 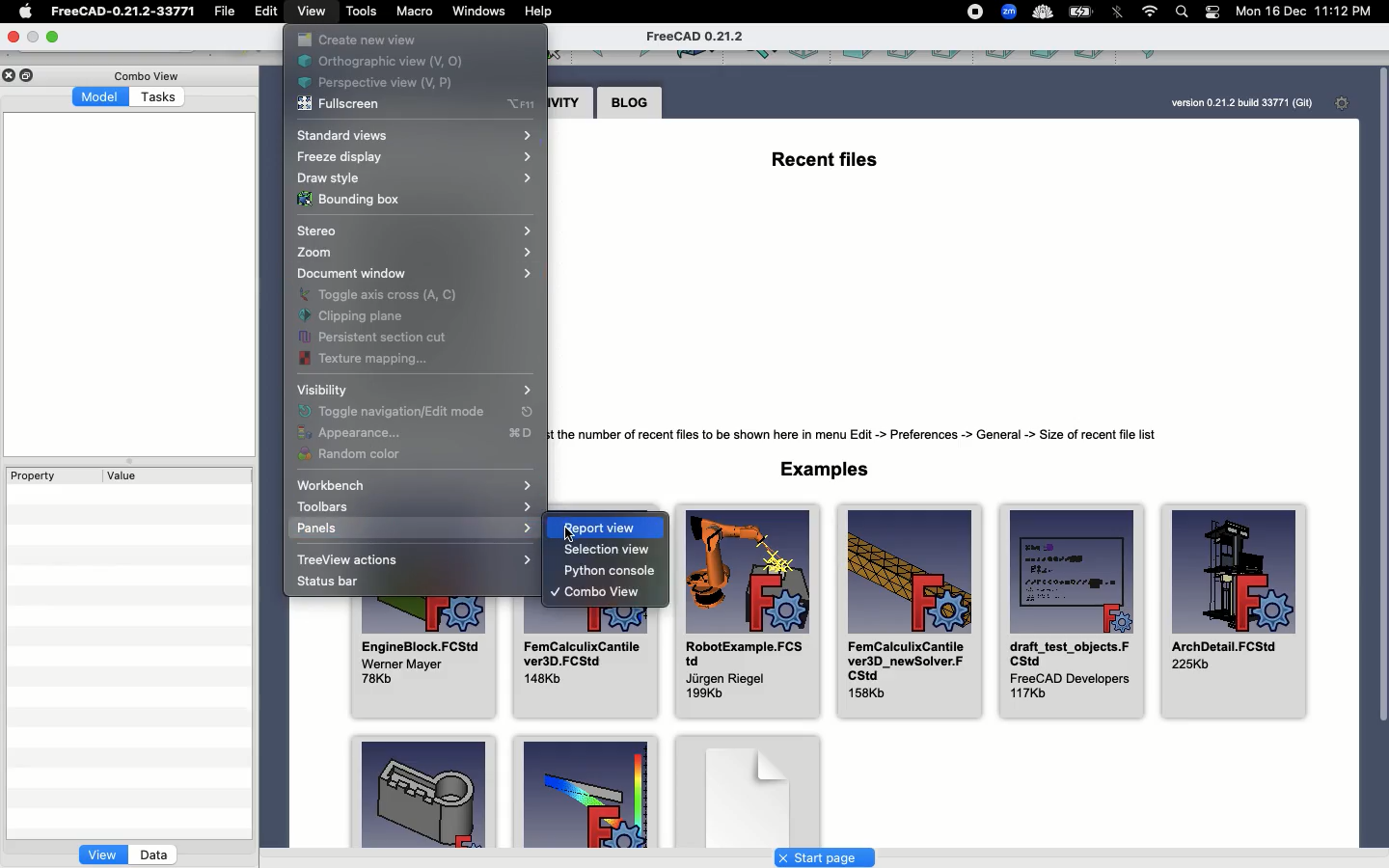 I want to click on Stereo, so click(x=418, y=229).